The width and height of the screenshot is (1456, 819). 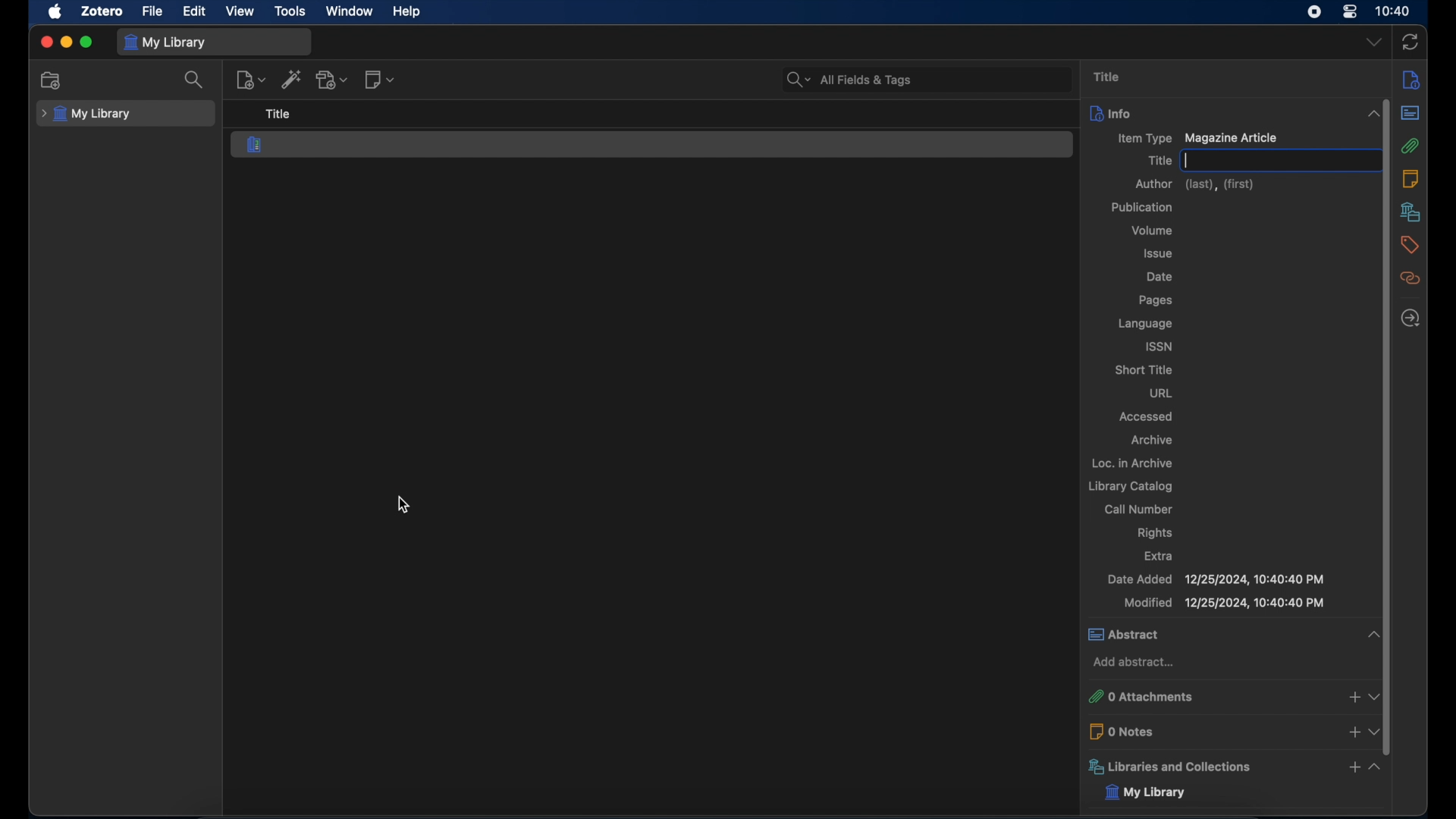 I want to click on my library, so click(x=1157, y=793).